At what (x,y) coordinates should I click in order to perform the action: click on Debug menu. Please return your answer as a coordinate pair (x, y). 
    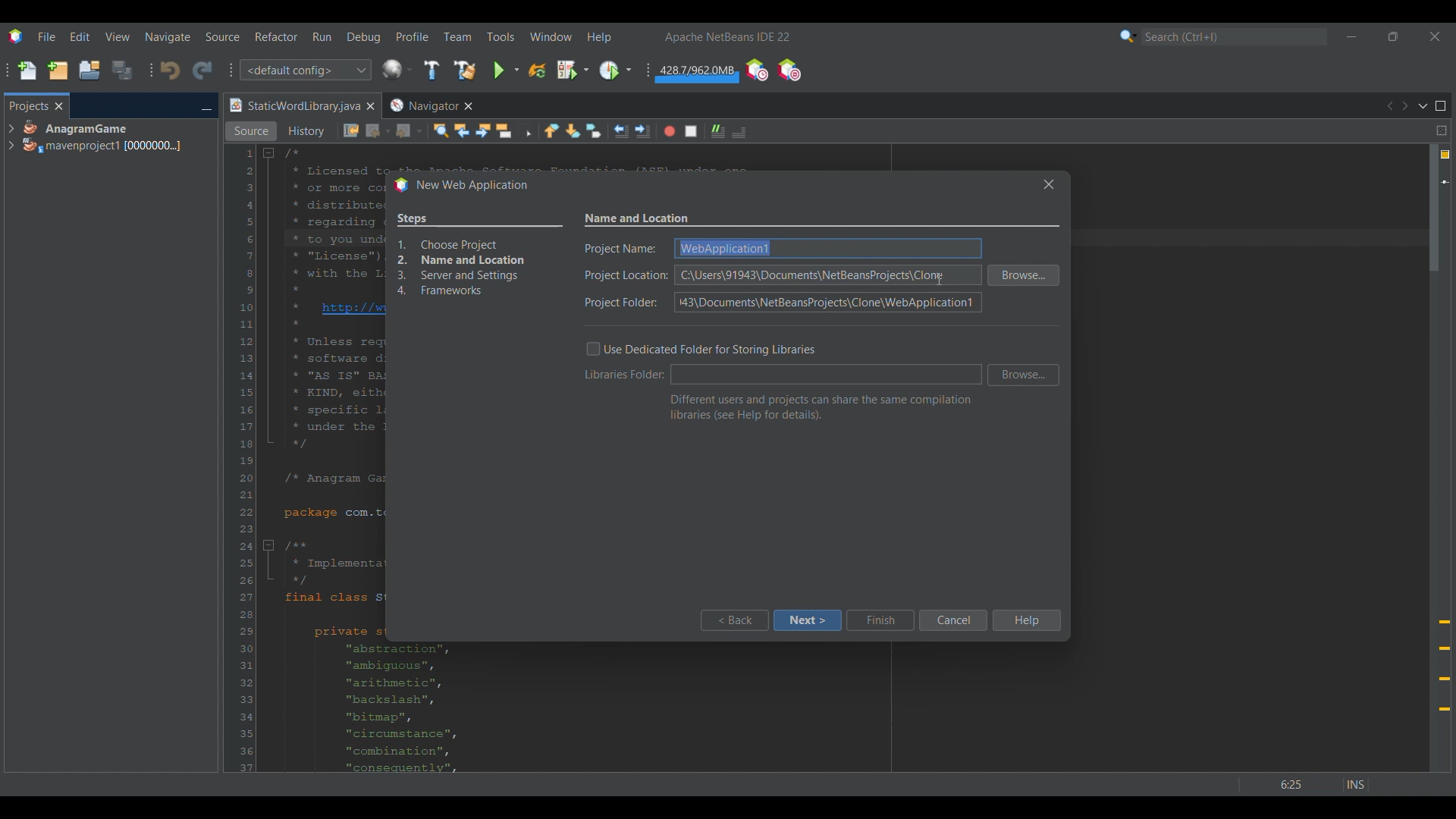
    Looking at the image, I should click on (364, 37).